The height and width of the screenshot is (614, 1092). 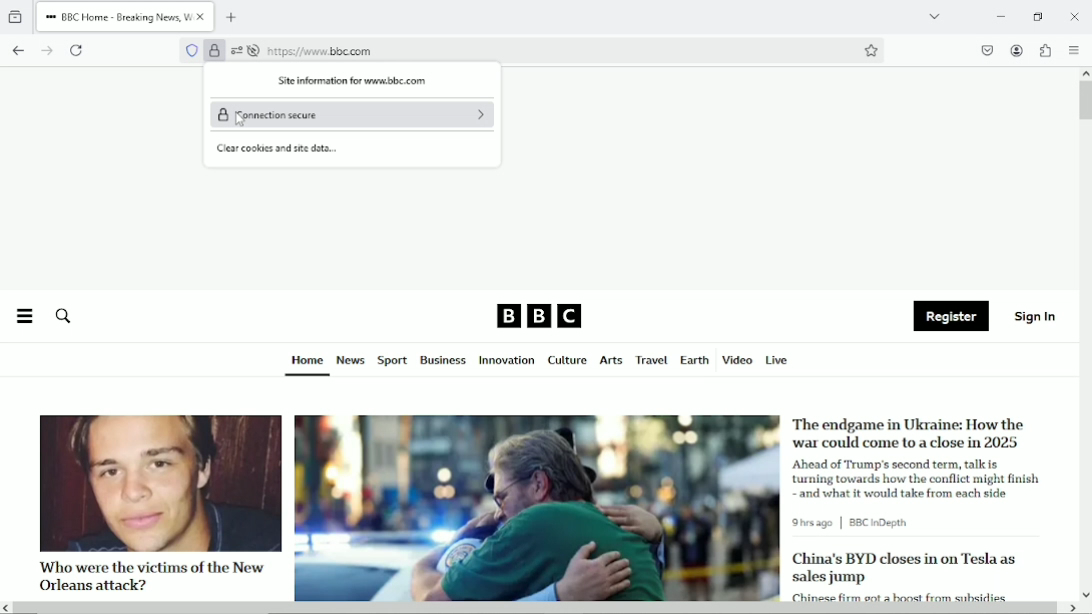 I want to click on Live, so click(x=777, y=359).